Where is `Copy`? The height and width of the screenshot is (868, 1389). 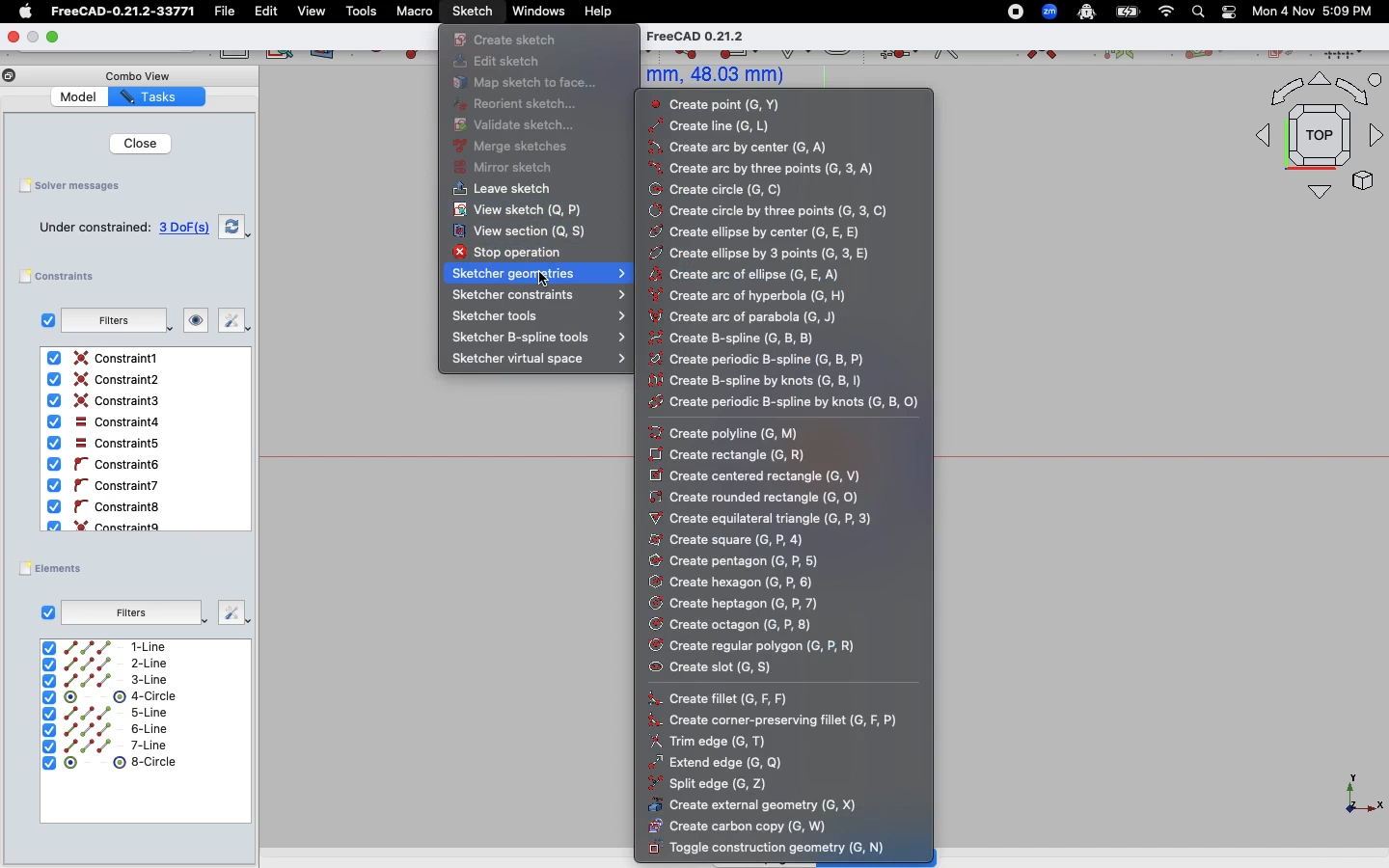 Copy is located at coordinates (10, 78).